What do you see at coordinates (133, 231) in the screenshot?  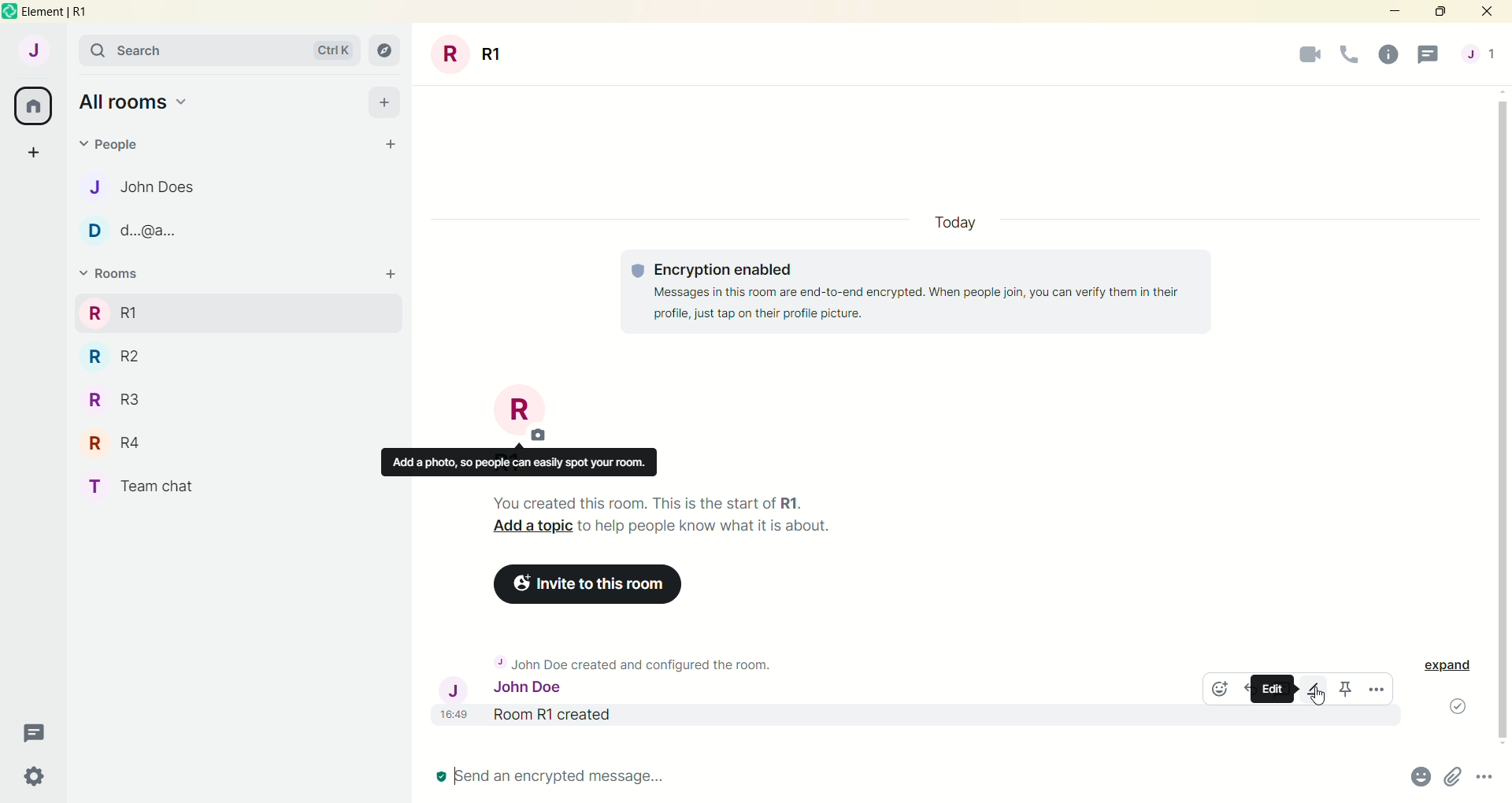 I see `D d.@a.` at bounding box center [133, 231].